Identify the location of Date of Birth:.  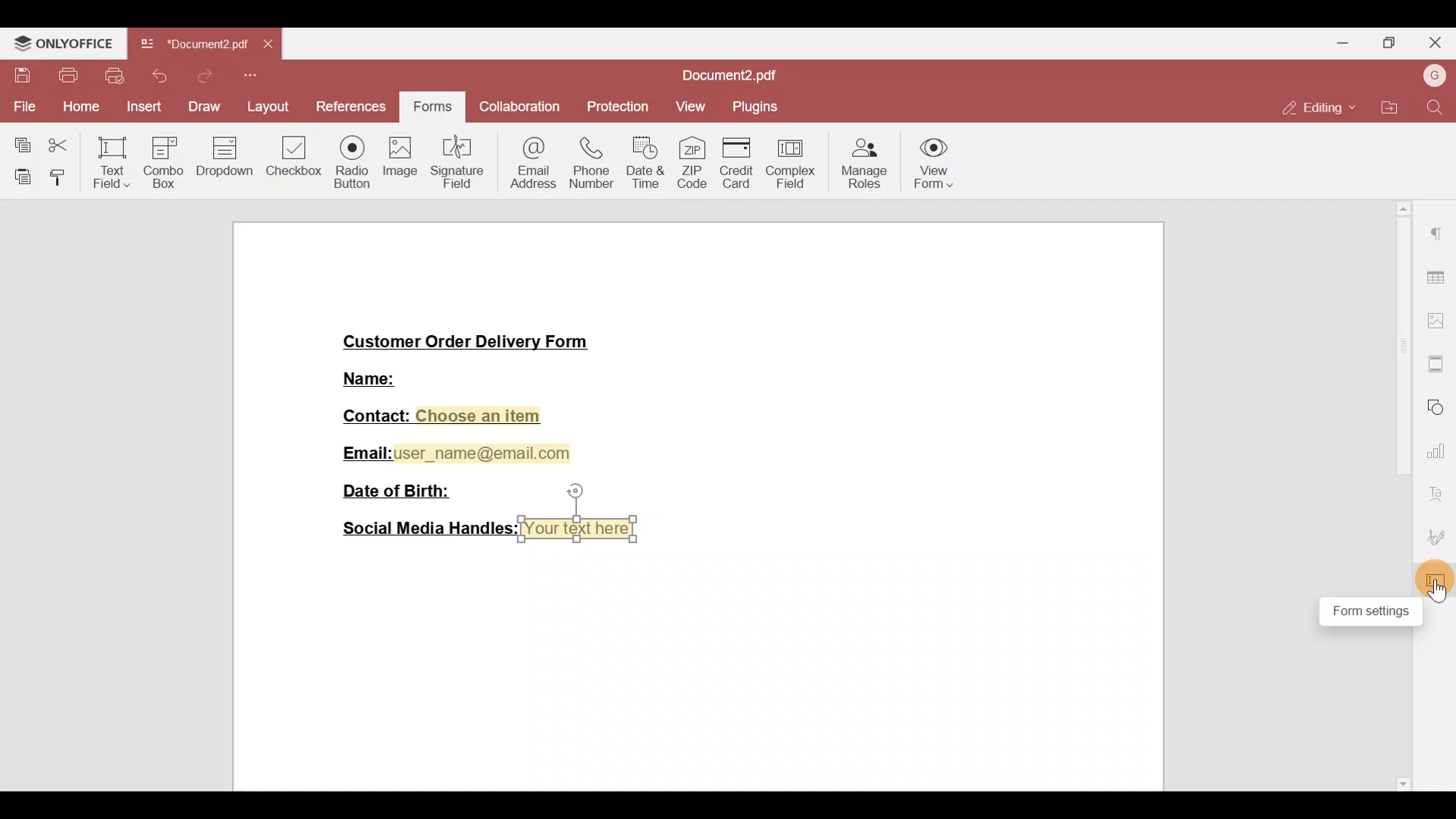
(399, 493).